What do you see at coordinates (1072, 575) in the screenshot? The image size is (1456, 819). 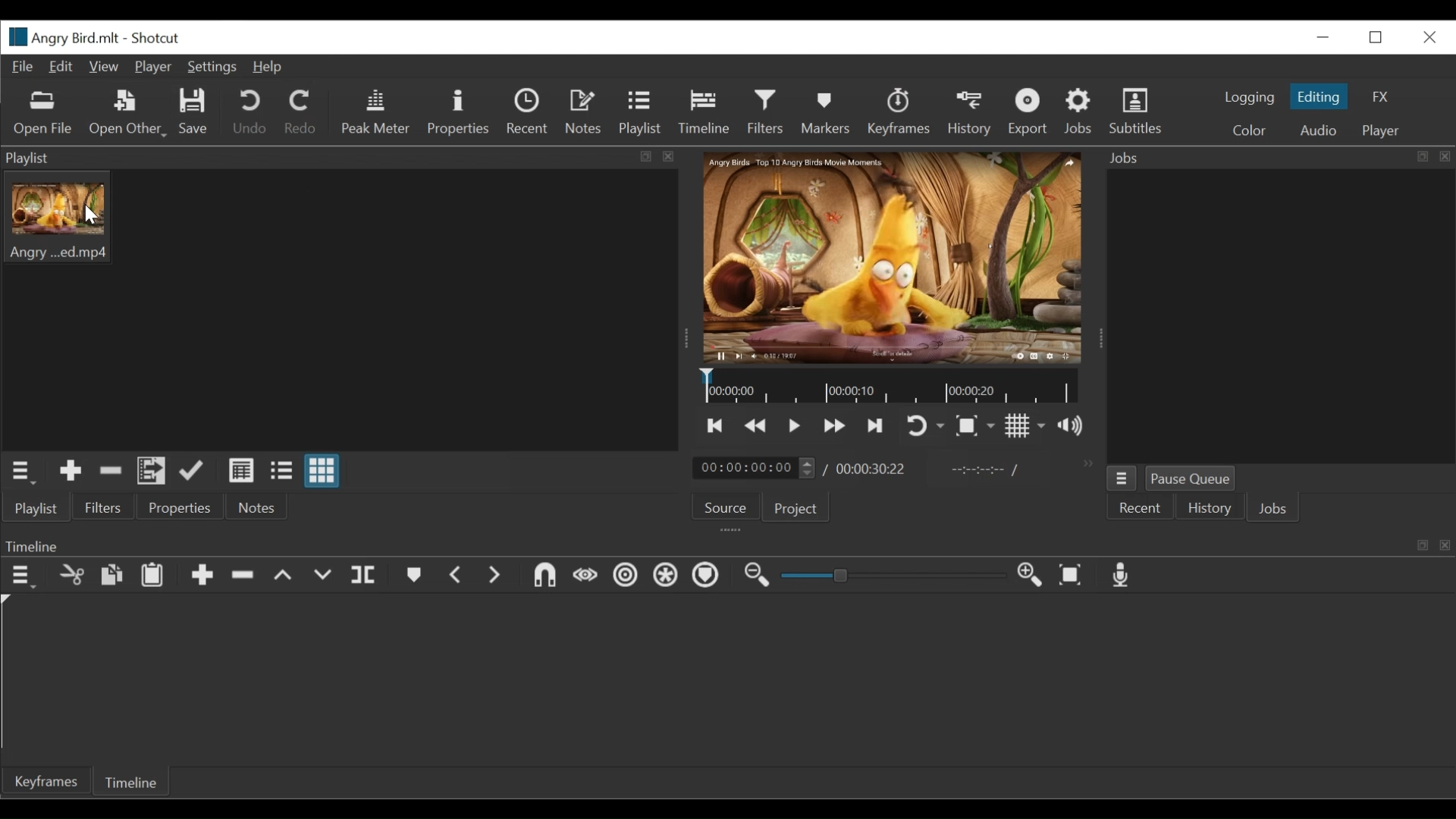 I see `zoom timeline to fit` at bounding box center [1072, 575].